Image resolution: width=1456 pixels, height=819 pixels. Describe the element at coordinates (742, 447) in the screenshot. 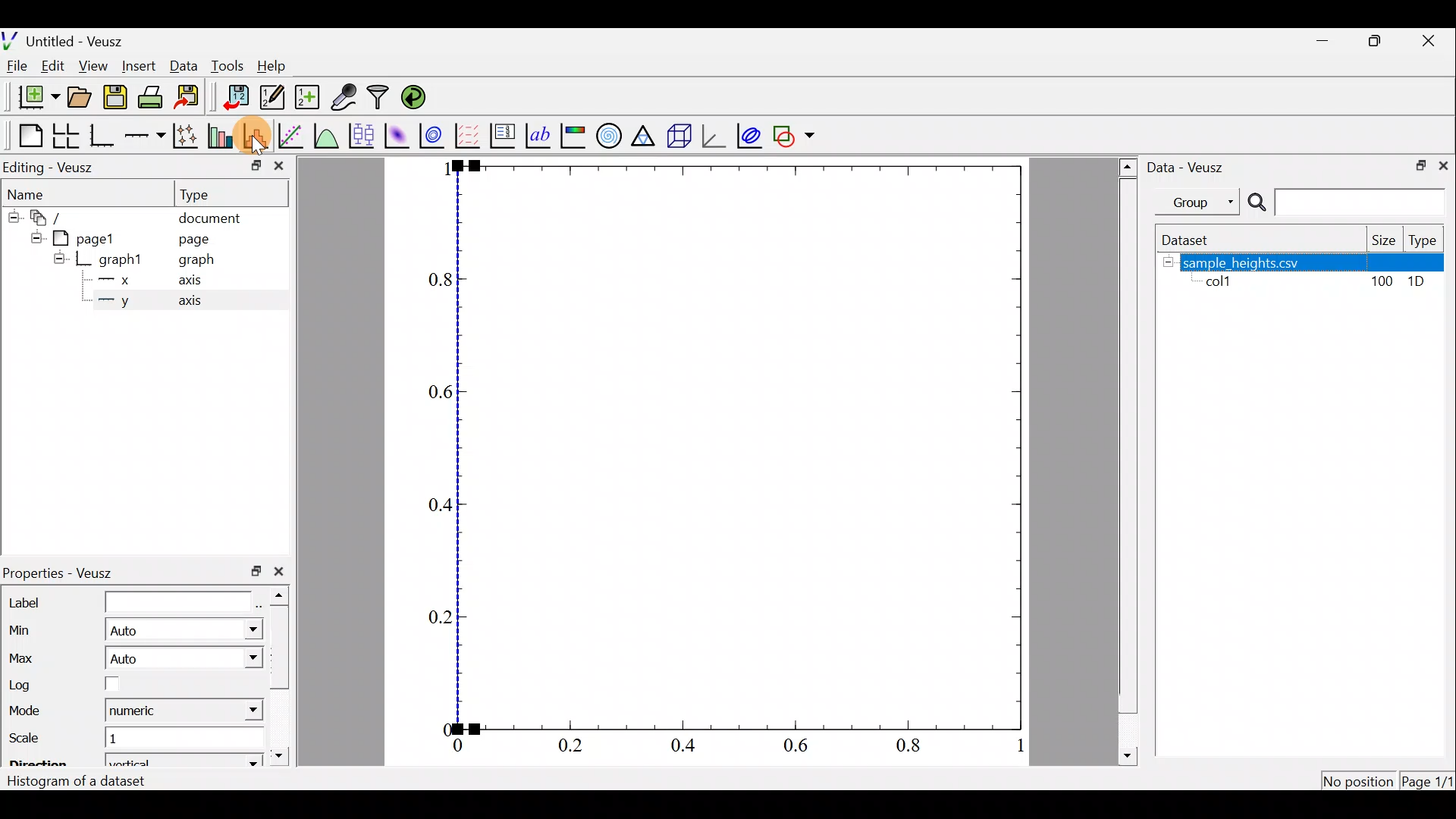

I see `Graph` at that location.